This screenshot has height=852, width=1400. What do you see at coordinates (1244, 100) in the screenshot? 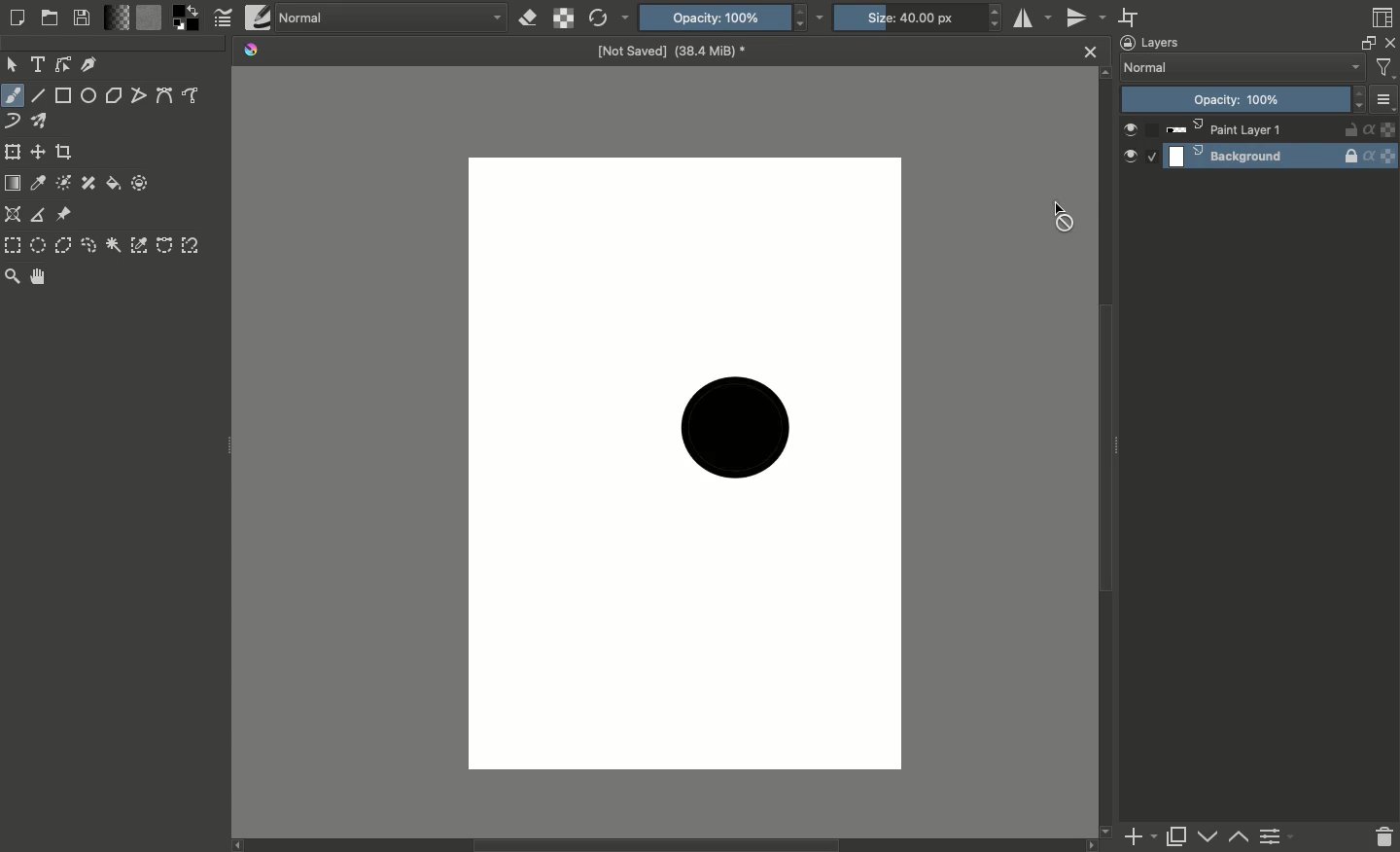
I see `Opacity` at bounding box center [1244, 100].